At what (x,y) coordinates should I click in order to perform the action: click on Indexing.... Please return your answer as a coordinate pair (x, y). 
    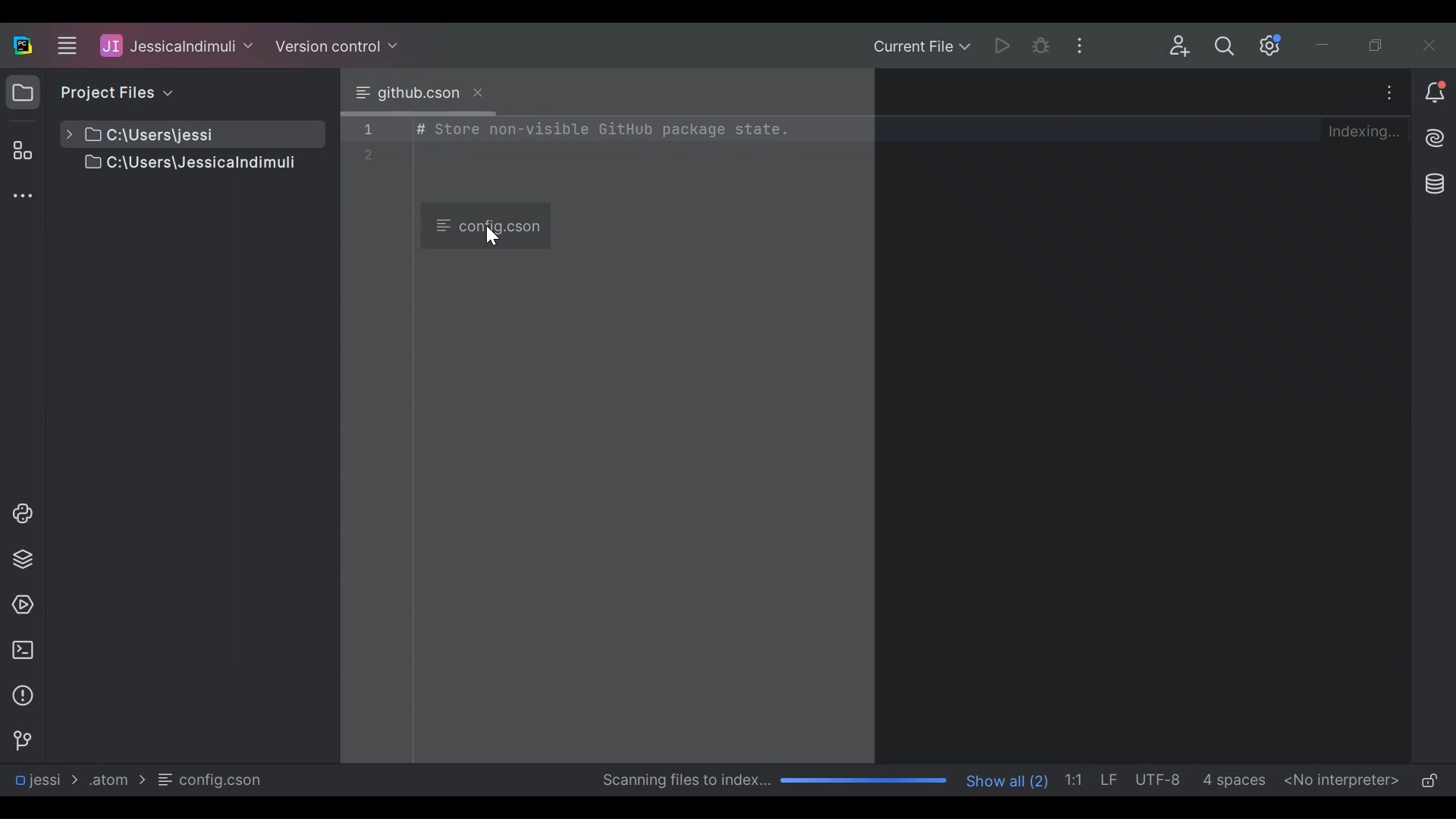
    Looking at the image, I should click on (1369, 132).